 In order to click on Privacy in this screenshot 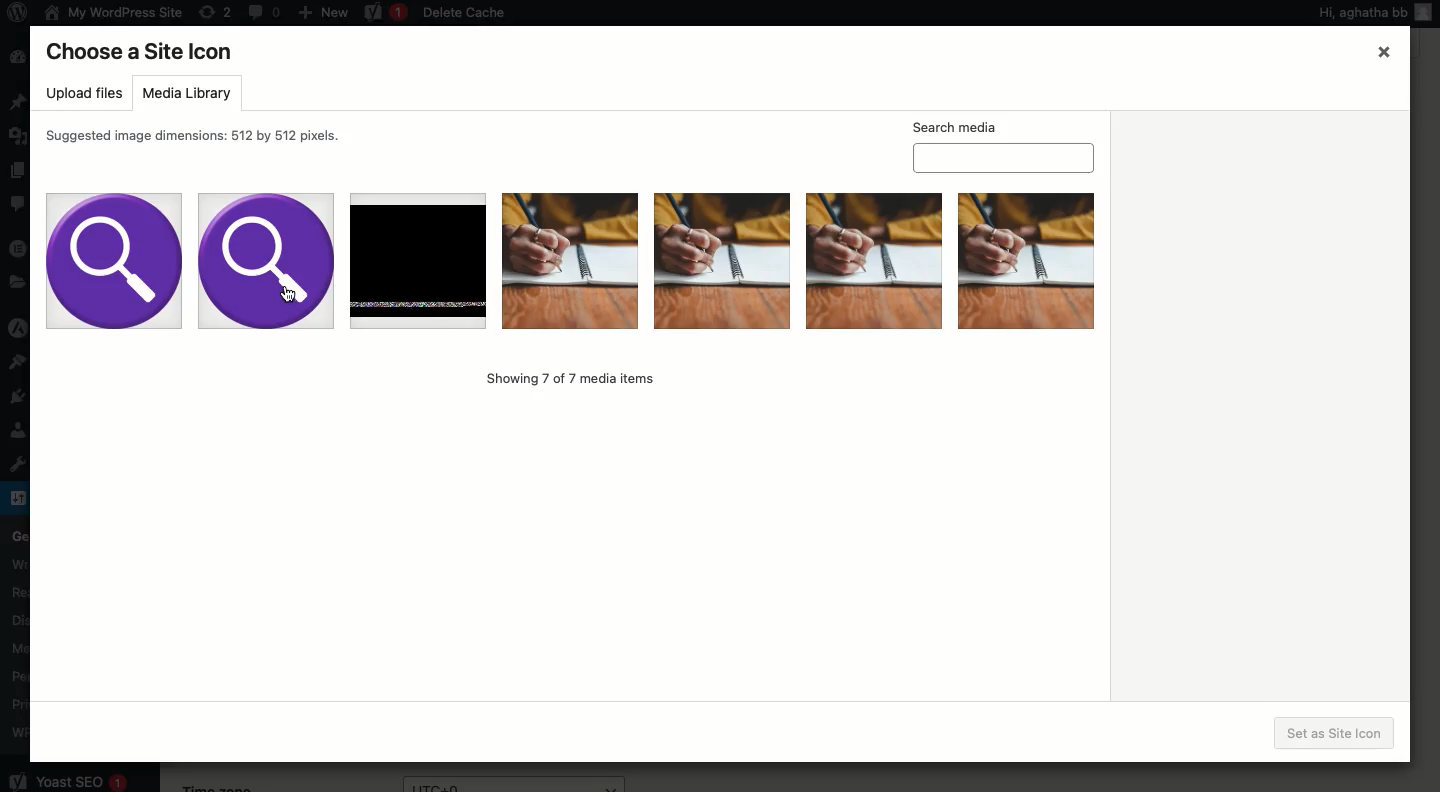, I will do `click(18, 704)`.